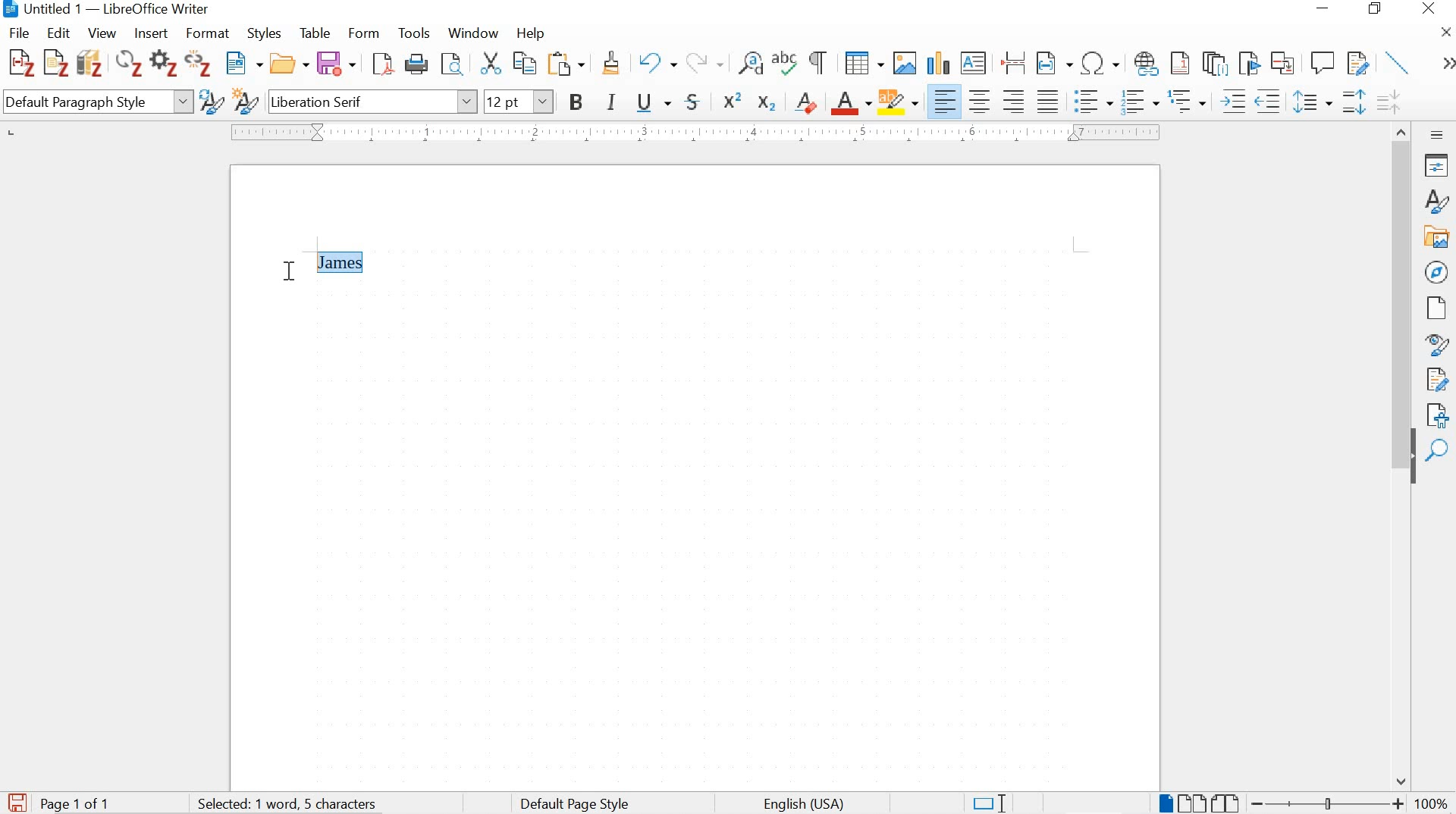 This screenshot has width=1456, height=814. I want to click on expand, so click(1445, 64).